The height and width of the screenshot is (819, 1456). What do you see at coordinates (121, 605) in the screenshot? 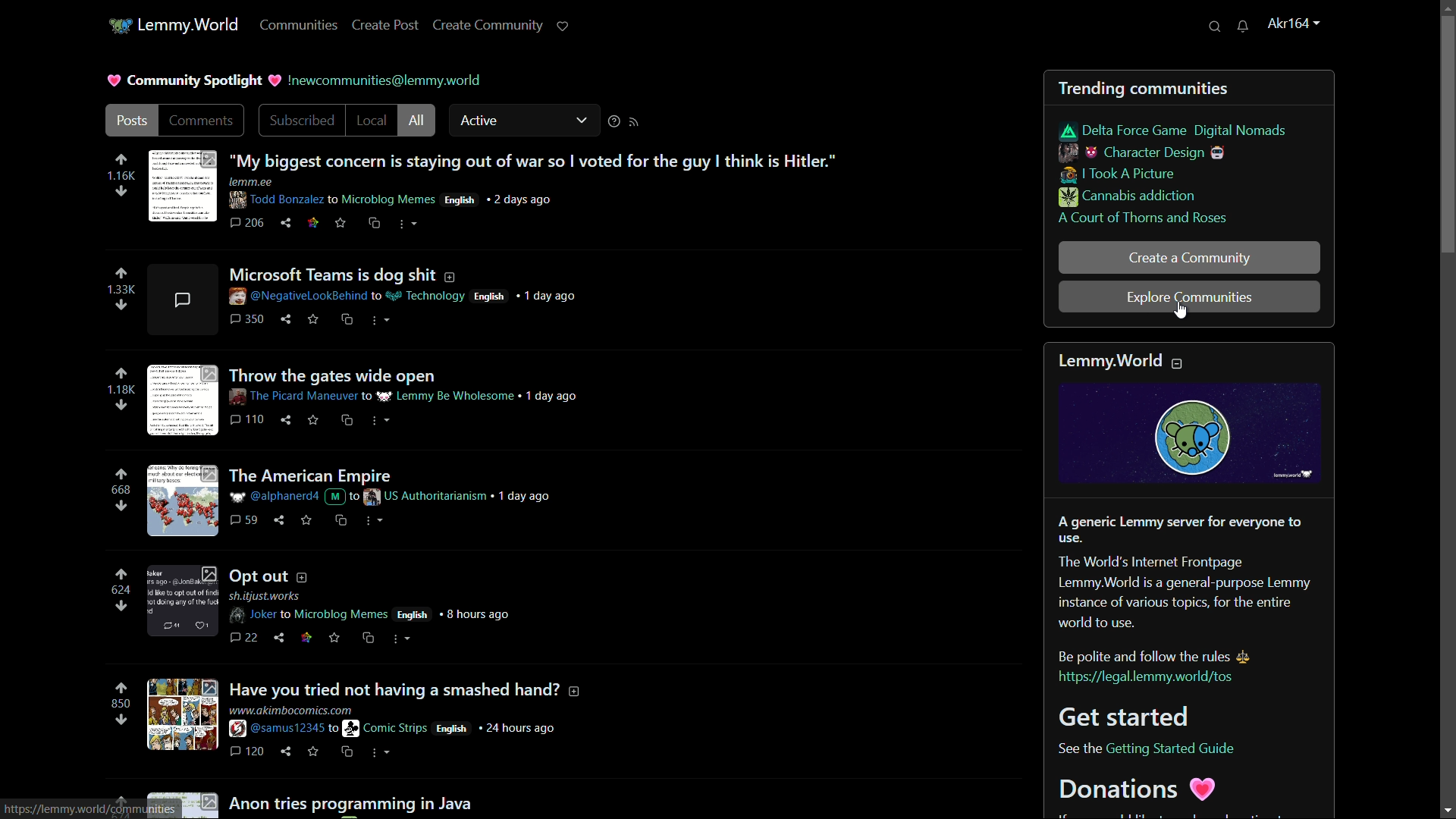
I see `downvote` at bounding box center [121, 605].